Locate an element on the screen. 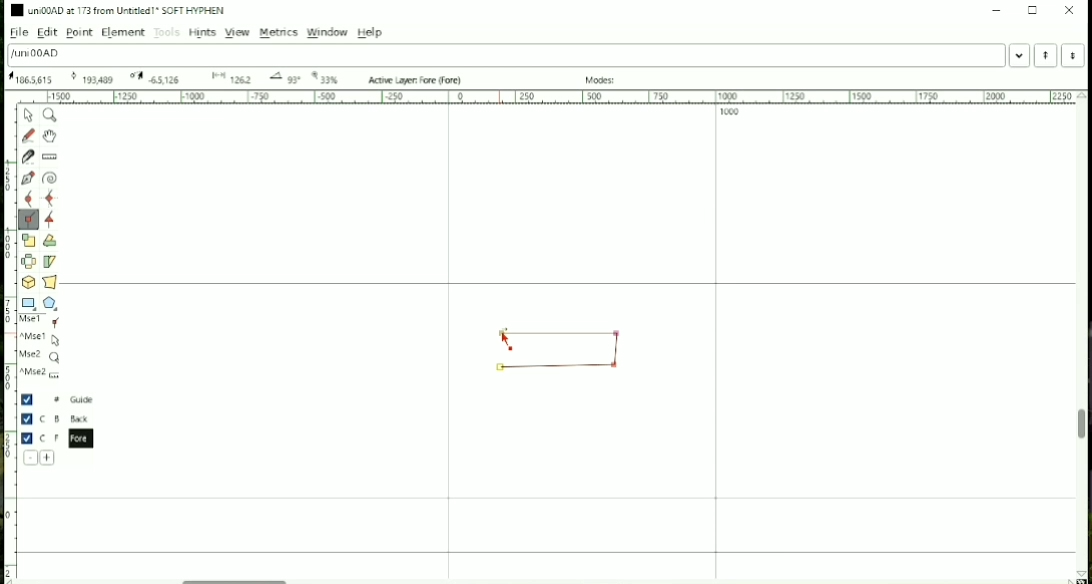  Help is located at coordinates (370, 32).